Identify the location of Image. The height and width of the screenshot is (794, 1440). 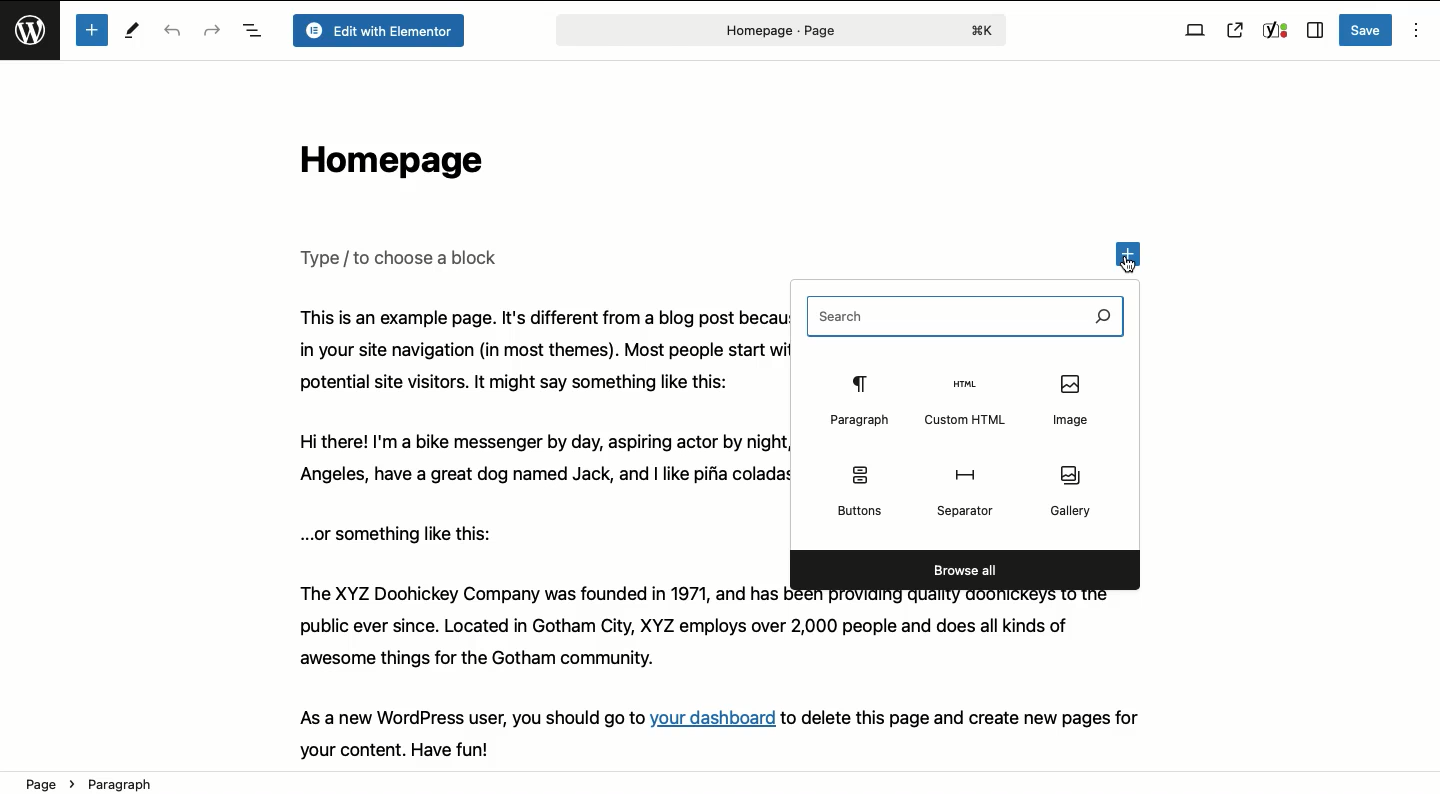
(1075, 400).